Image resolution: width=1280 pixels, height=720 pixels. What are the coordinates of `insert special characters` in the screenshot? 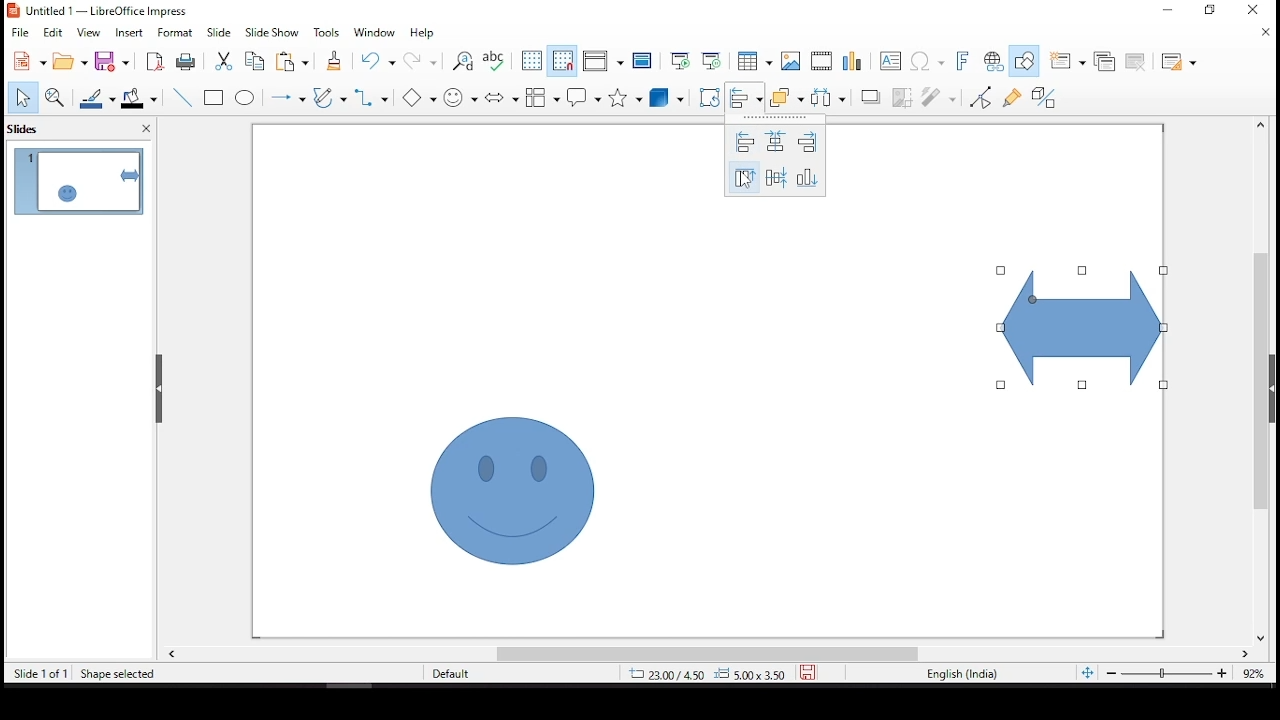 It's located at (929, 62).